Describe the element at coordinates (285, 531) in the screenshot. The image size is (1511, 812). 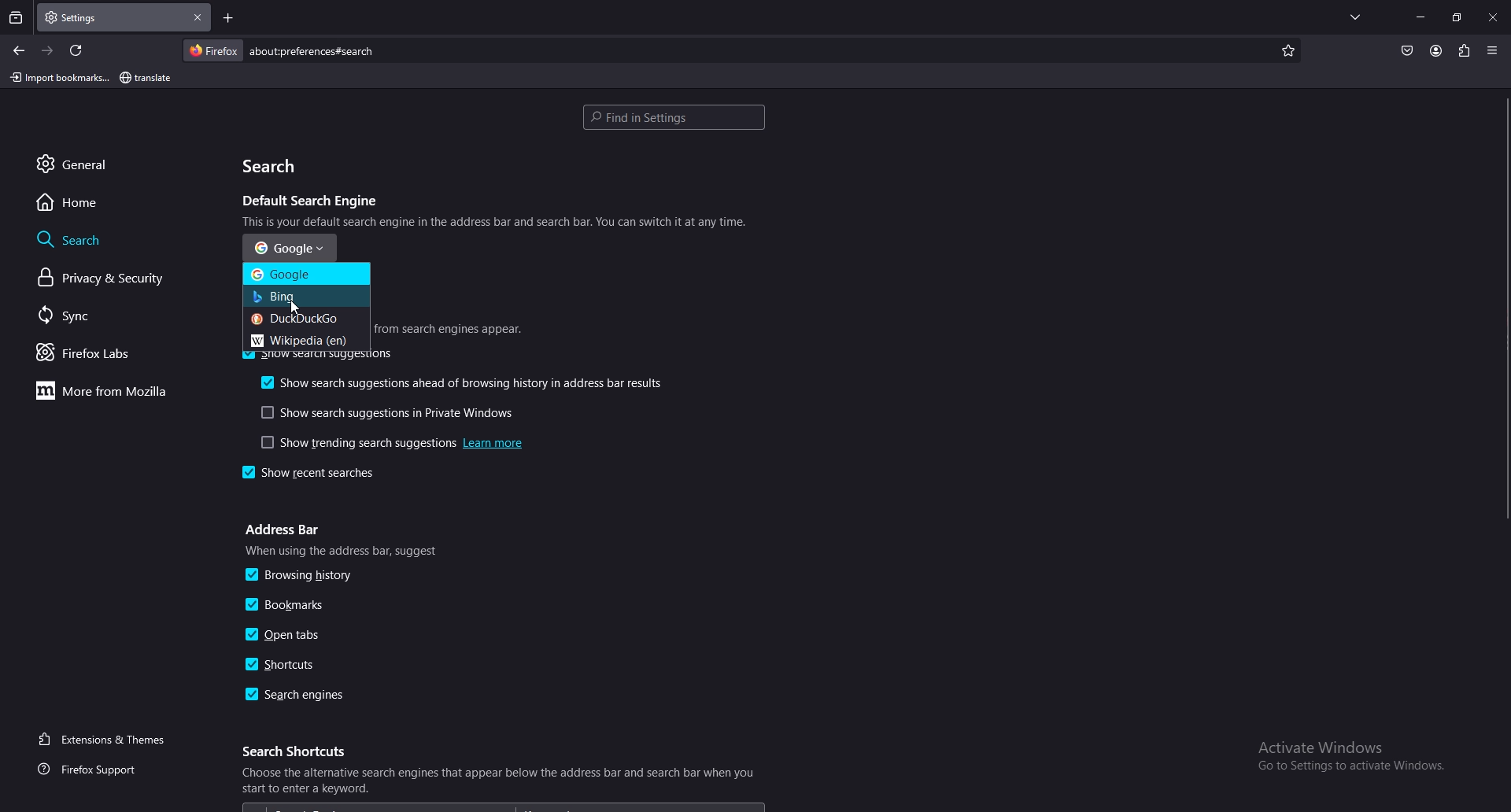
I see `address bar` at that location.